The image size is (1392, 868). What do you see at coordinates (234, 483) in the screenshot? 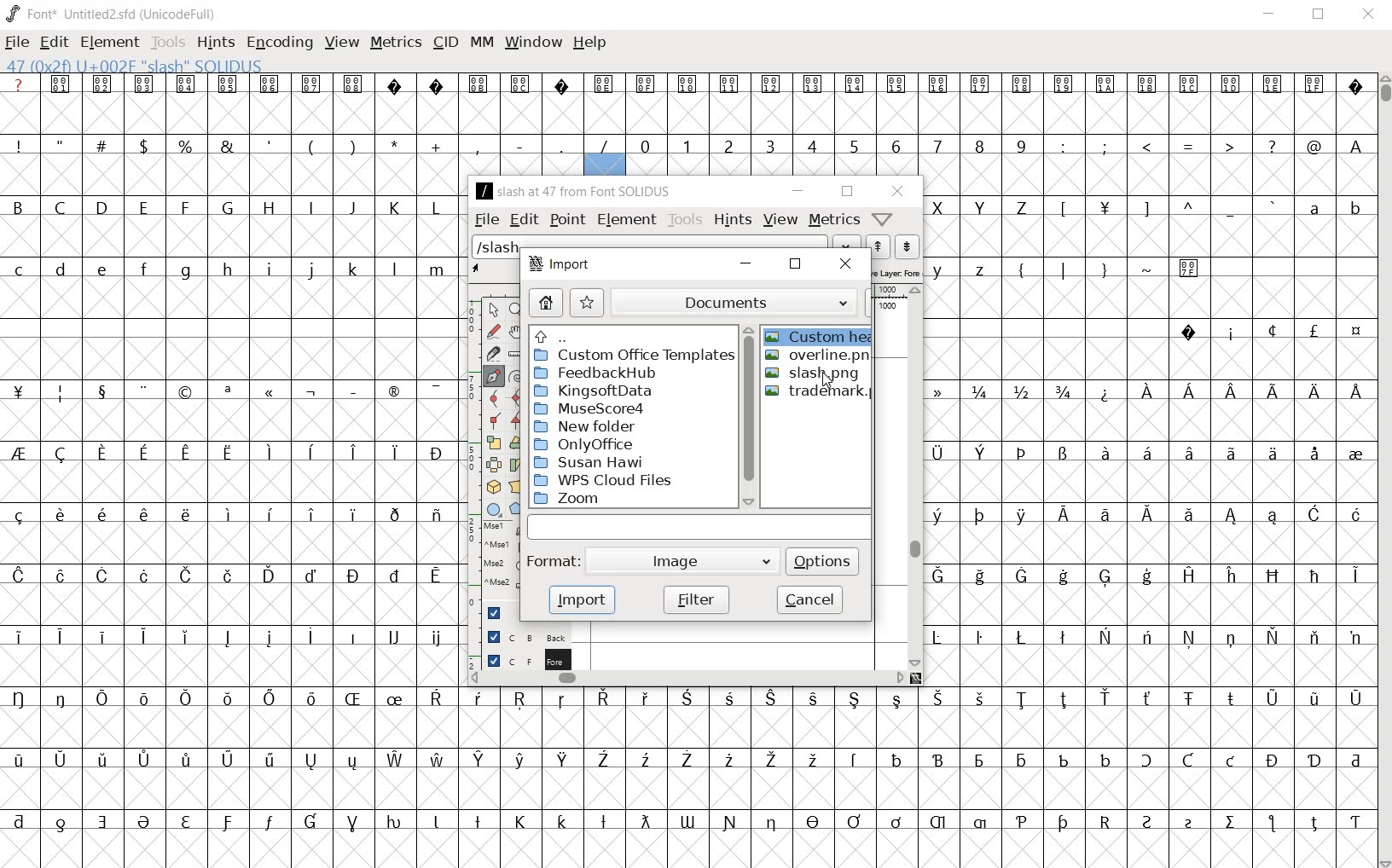
I see `empty cells` at bounding box center [234, 483].